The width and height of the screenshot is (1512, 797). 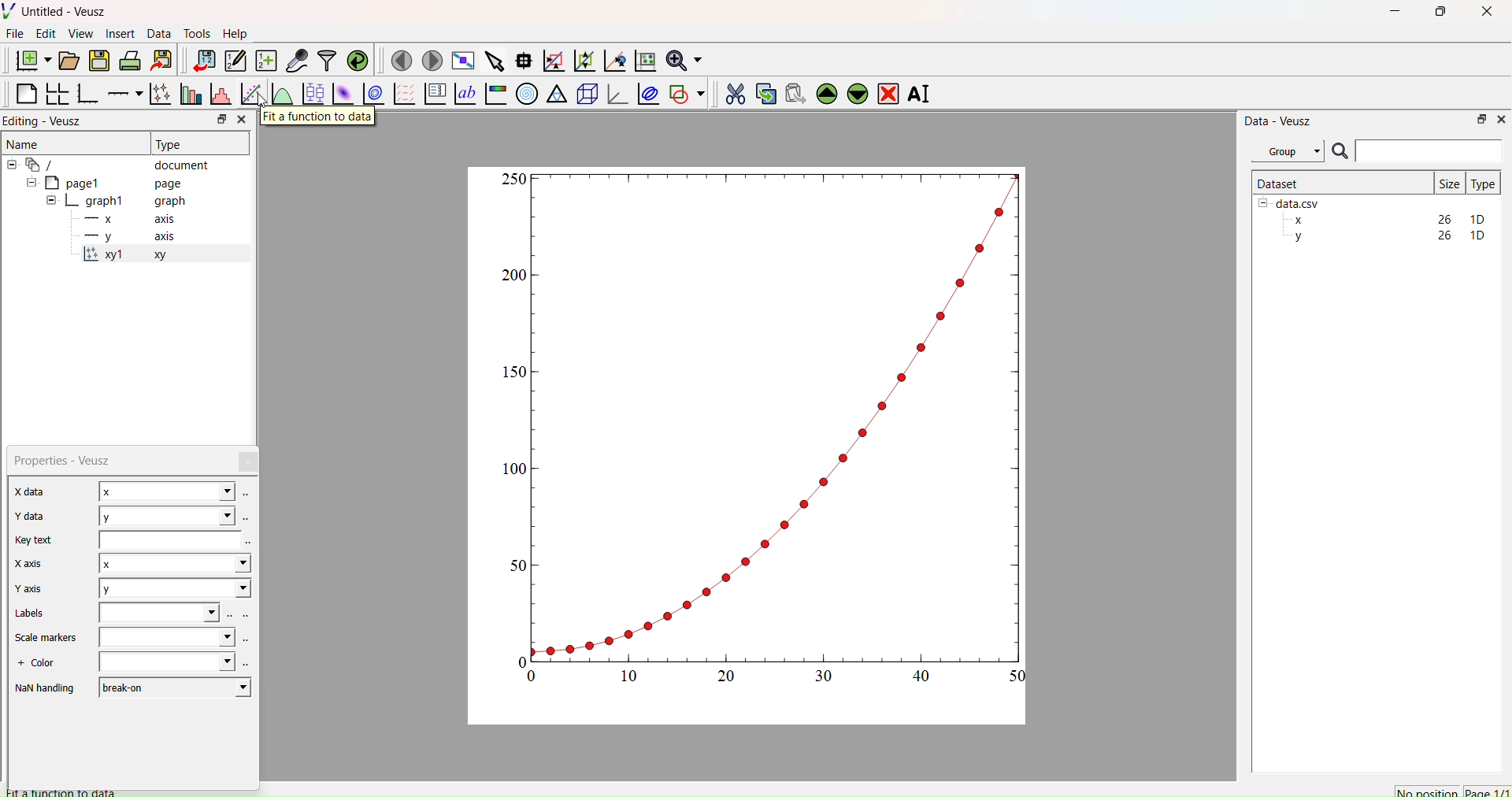 I want to click on Data - Veusz, so click(x=1278, y=120).